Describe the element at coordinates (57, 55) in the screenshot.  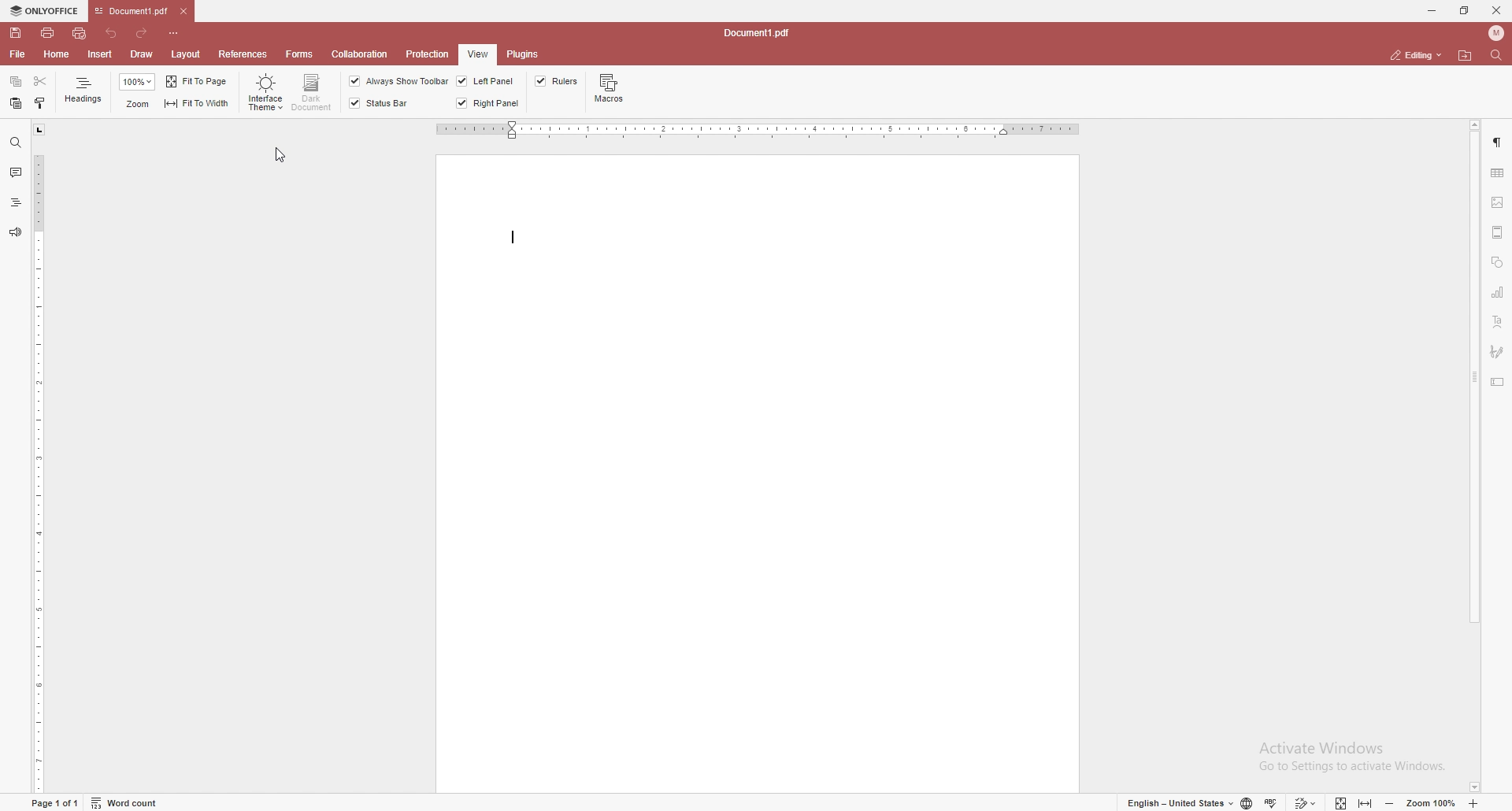
I see `home` at that location.